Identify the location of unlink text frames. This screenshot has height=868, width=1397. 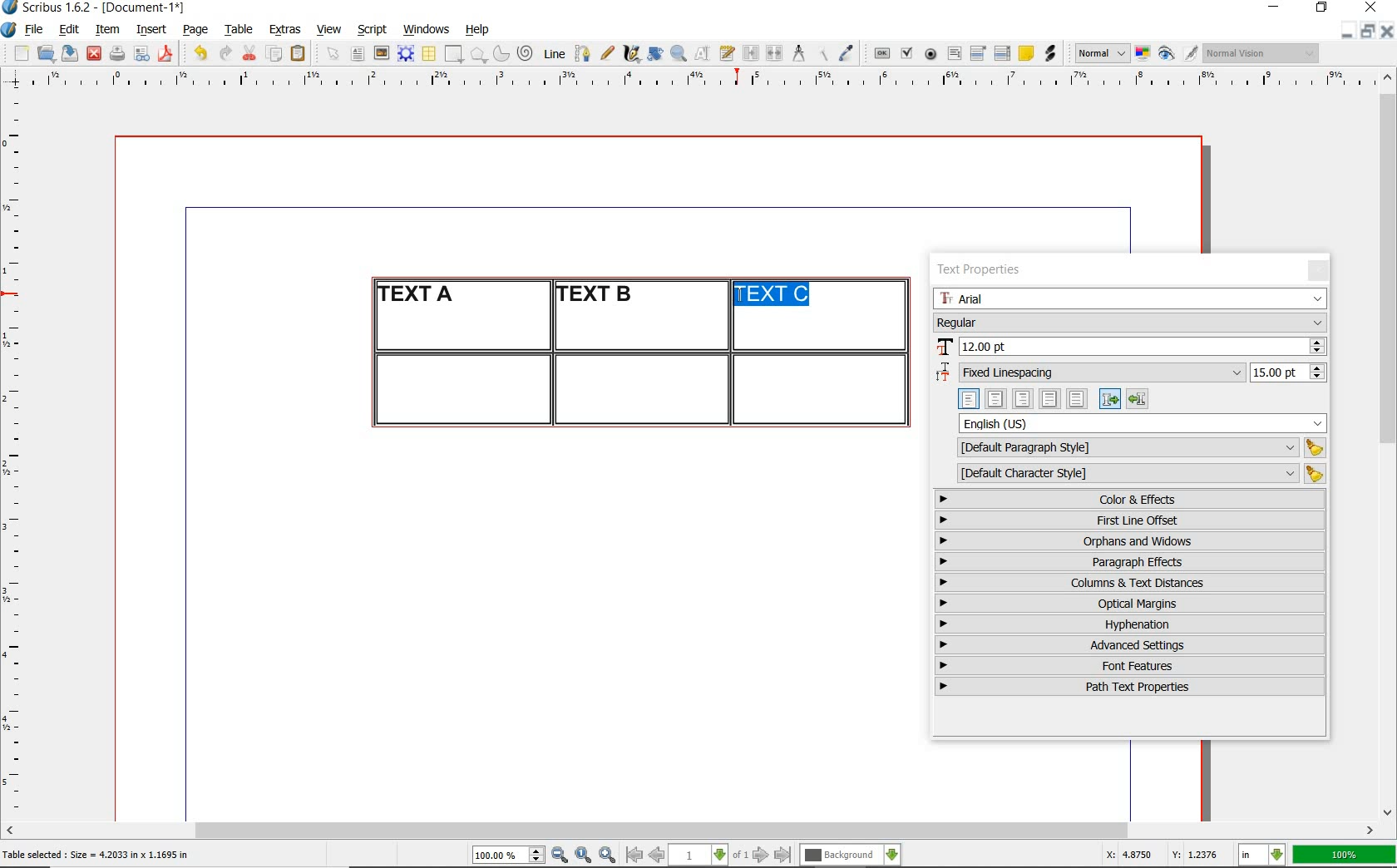
(774, 54).